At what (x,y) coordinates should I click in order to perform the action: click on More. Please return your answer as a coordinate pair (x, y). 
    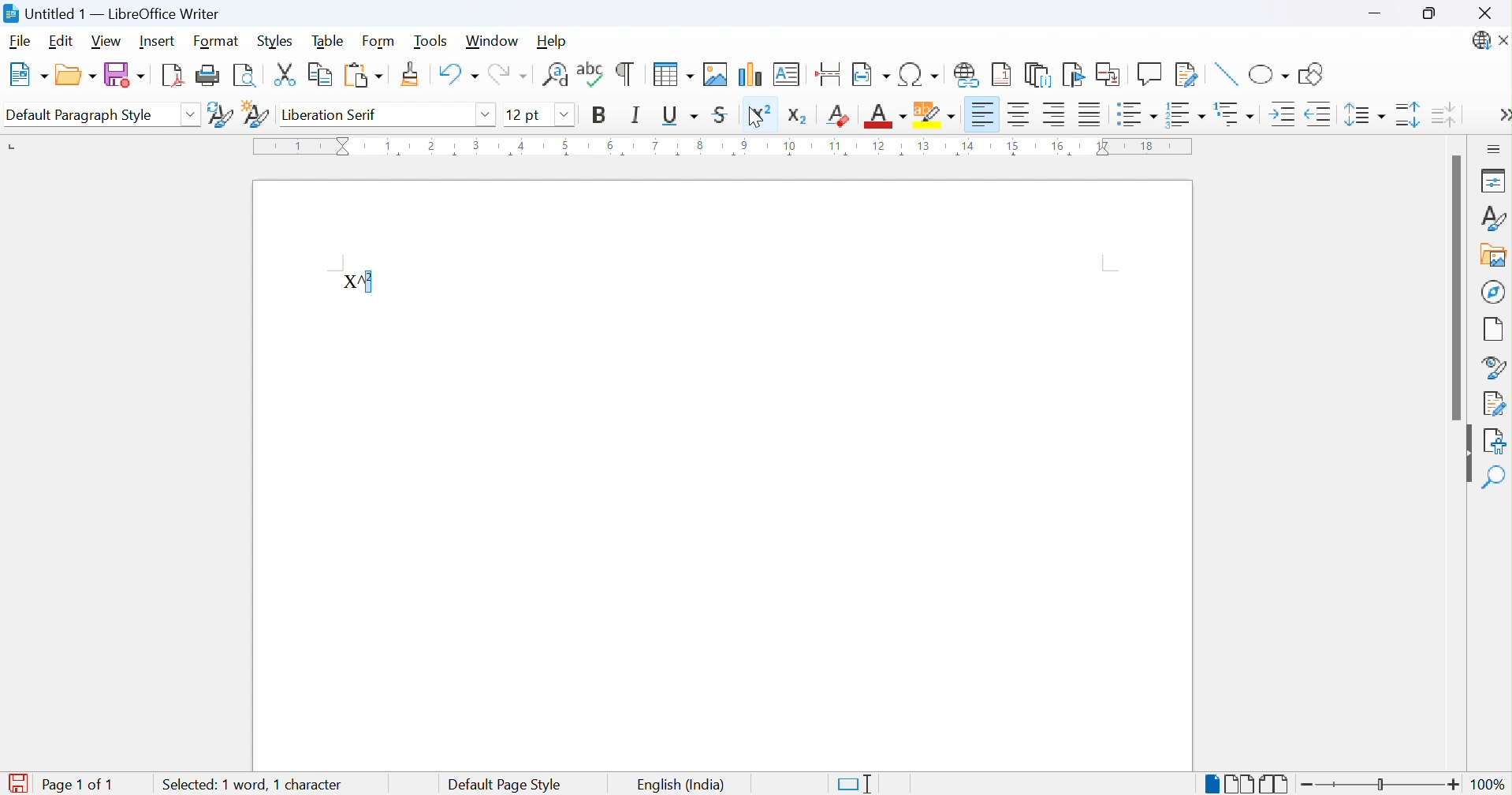
    Looking at the image, I should click on (1503, 114).